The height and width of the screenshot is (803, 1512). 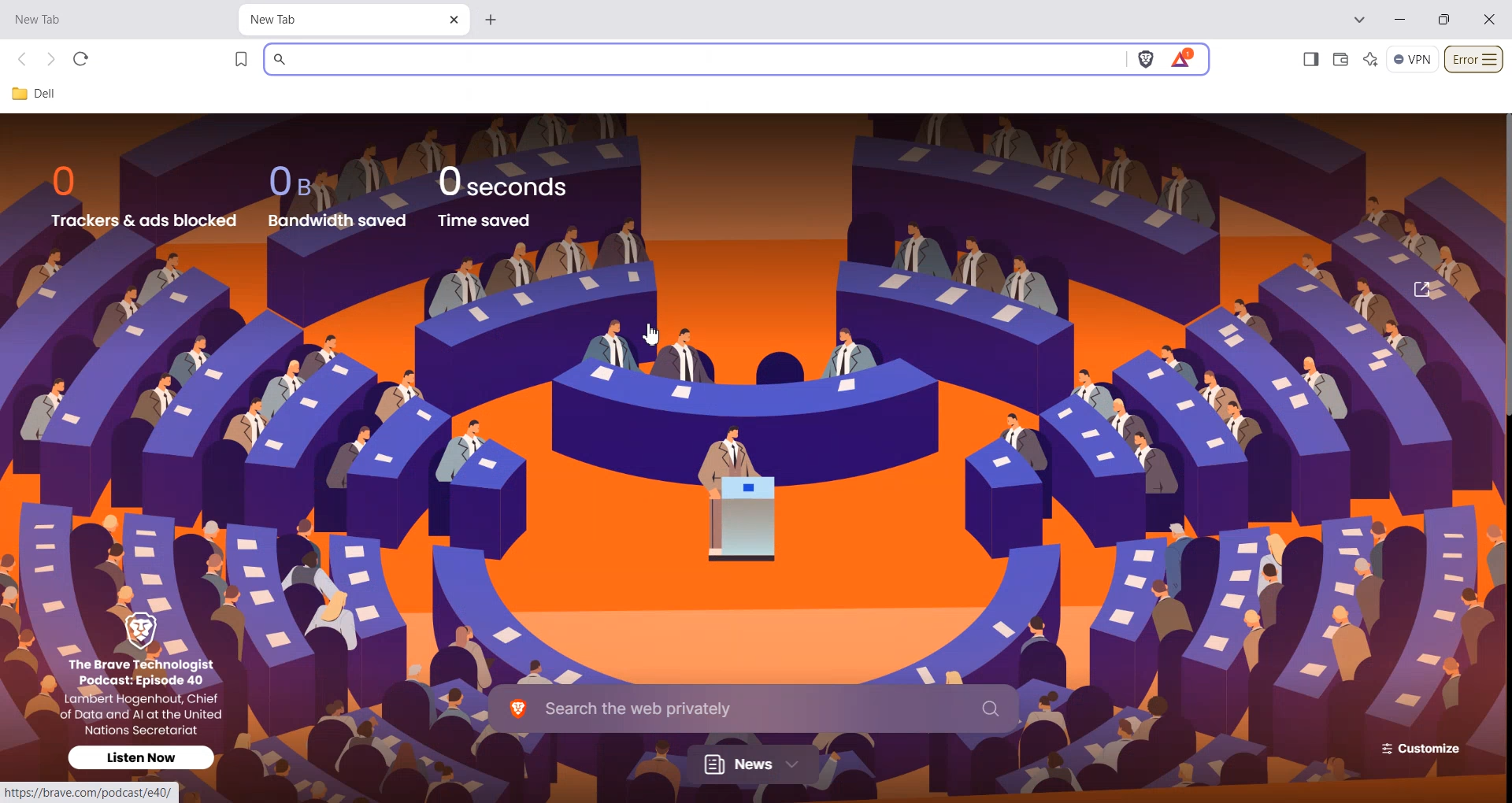 What do you see at coordinates (1445, 20) in the screenshot?
I see `MInimize/Maximize` at bounding box center [1445, 20].